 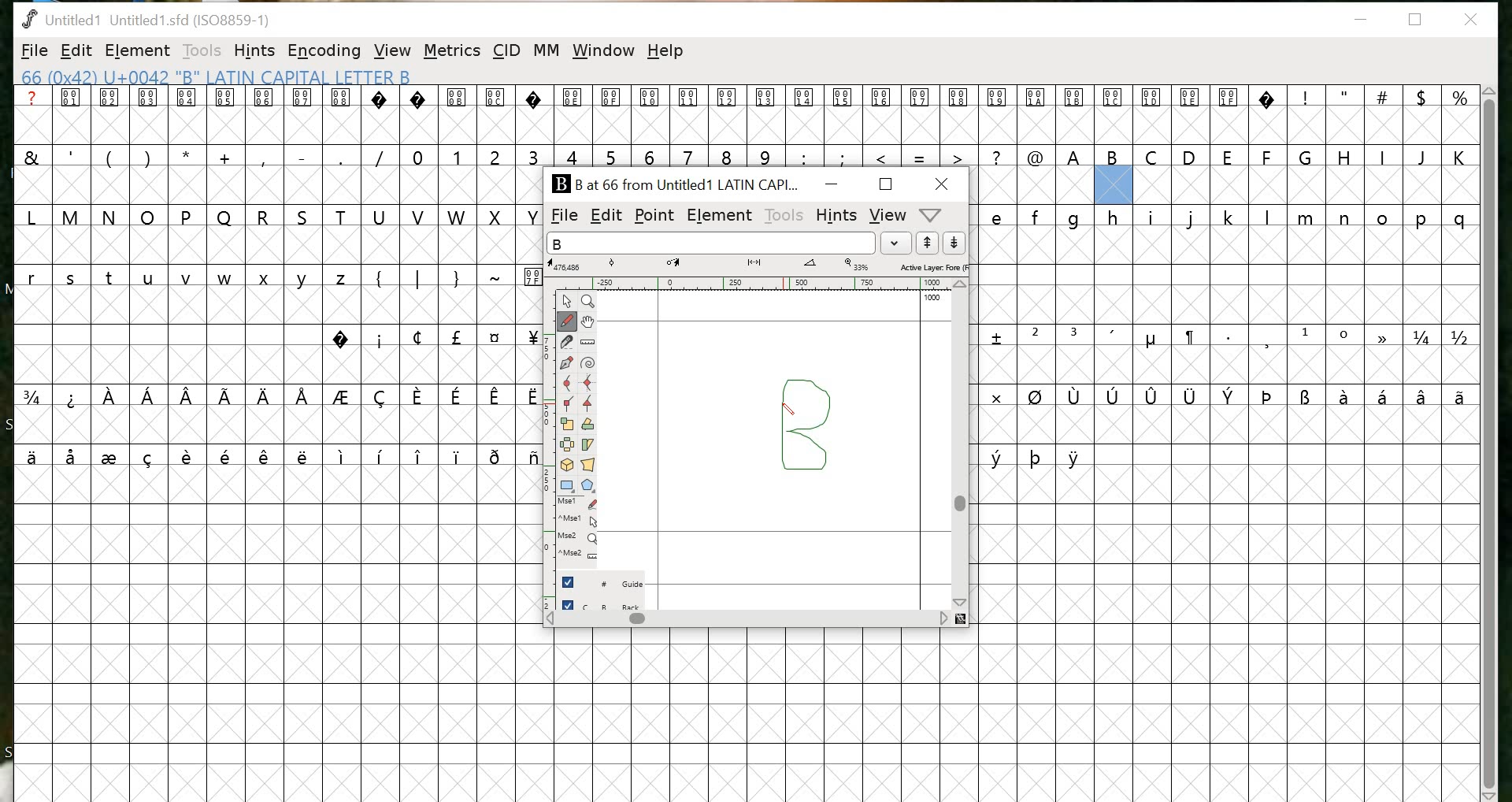 I want to click on Mouse left button, so click(x=580, y=504).